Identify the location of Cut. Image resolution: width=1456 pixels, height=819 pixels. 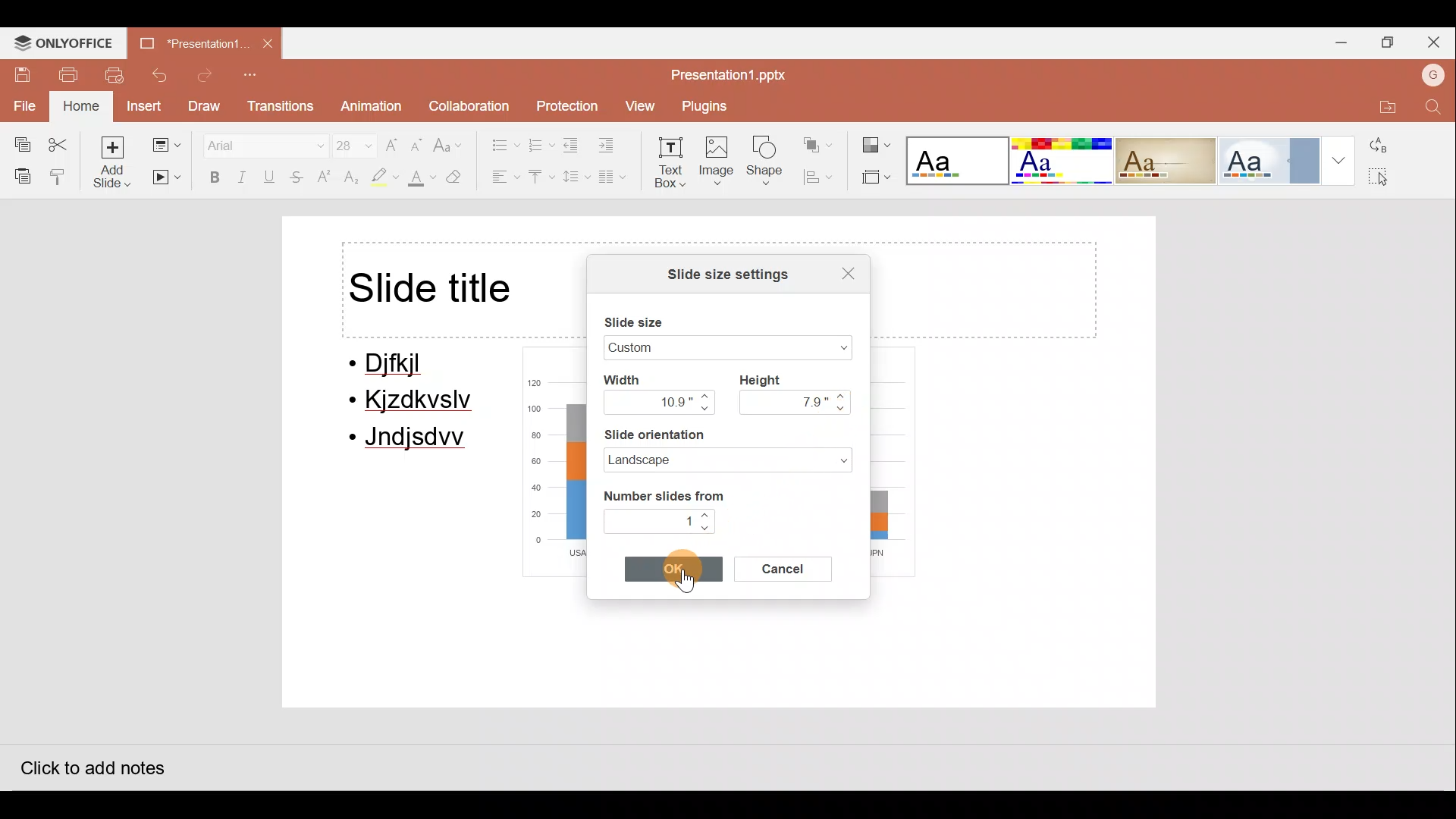
(62, 141).